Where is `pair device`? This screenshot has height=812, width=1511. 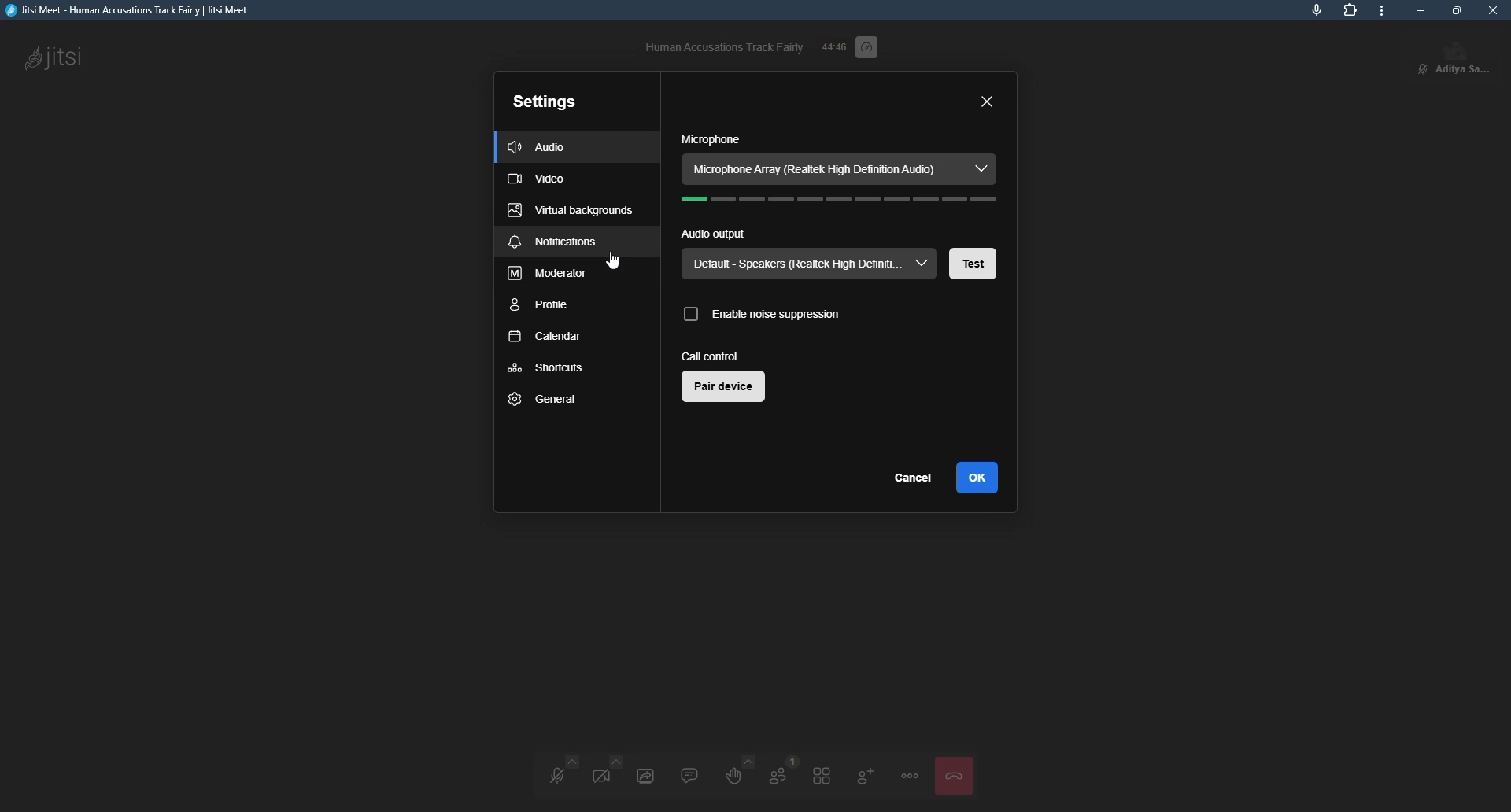 pair device is located at coordinates (723, 389).